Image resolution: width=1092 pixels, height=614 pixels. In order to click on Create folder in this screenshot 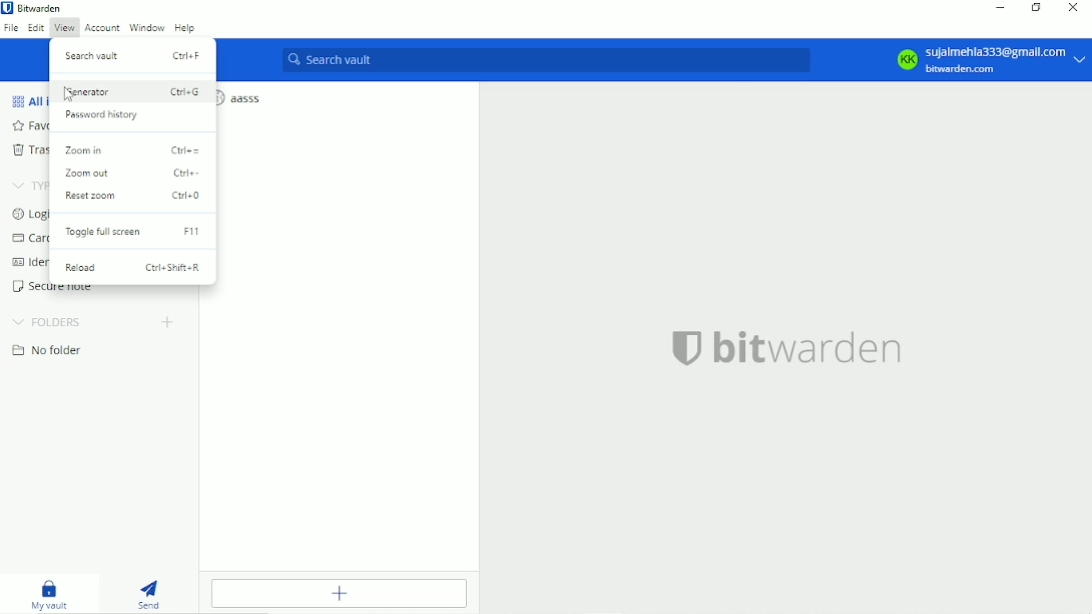, I will do `click(167, 324)`.